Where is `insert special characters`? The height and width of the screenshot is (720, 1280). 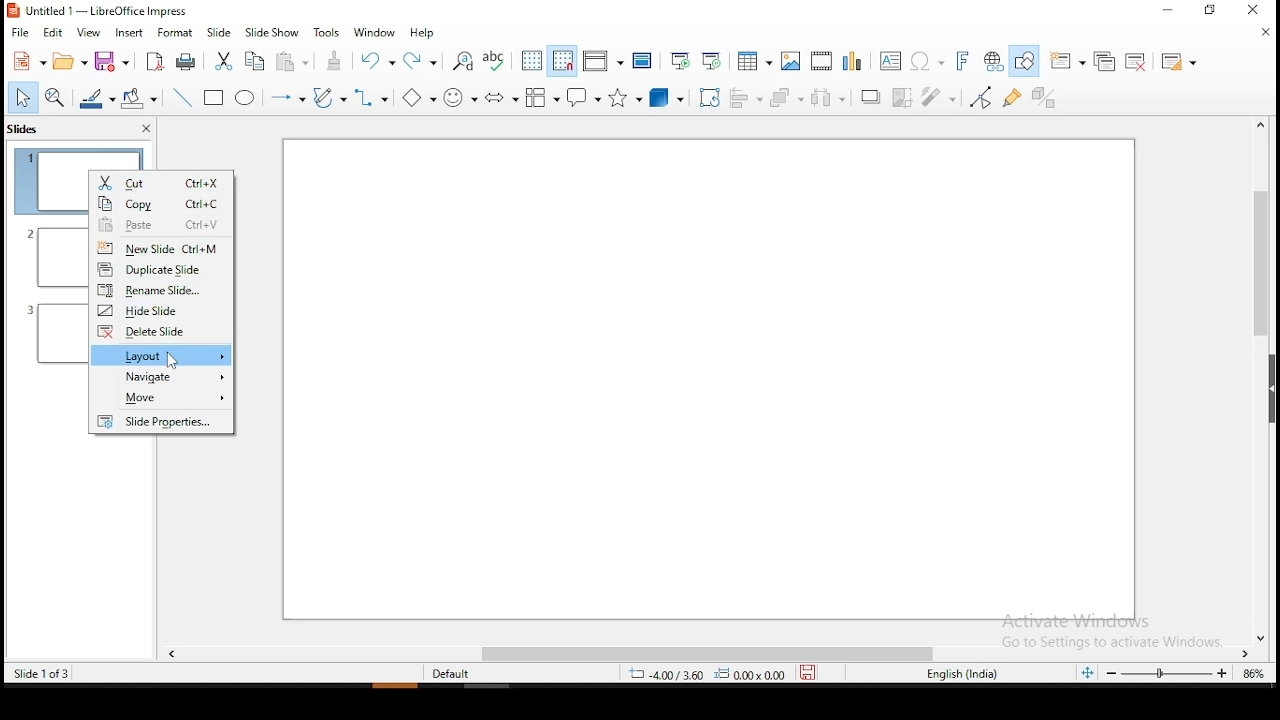 insert special characters is located at coordinates (926, 59).